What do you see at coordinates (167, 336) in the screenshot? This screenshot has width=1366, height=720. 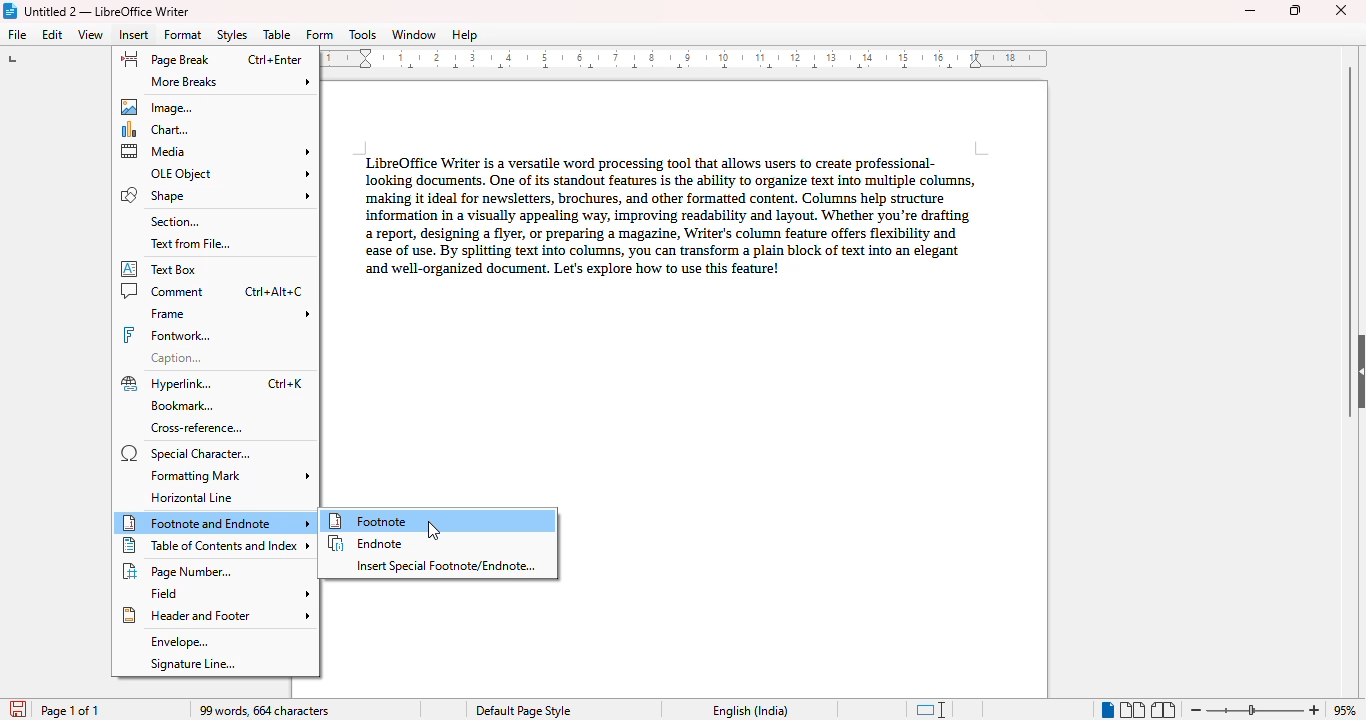 I see `fontwork` at bounding box center [167, 336].